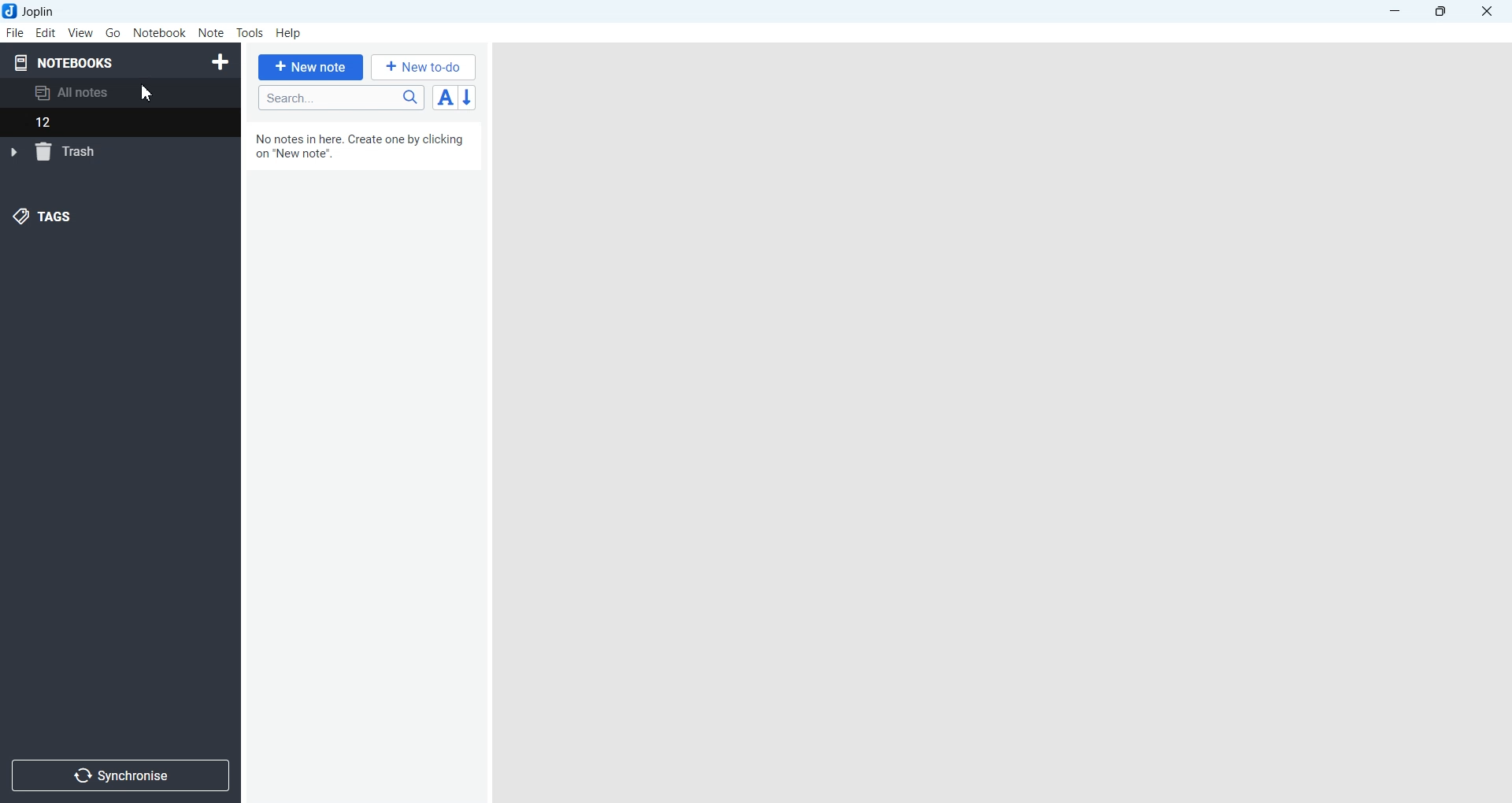 The width and height of the screenshot is (1512, 803). What do you see at coordinates (114, 32) in the screenshot?
I see `Go` at bounding box center [114, 32].